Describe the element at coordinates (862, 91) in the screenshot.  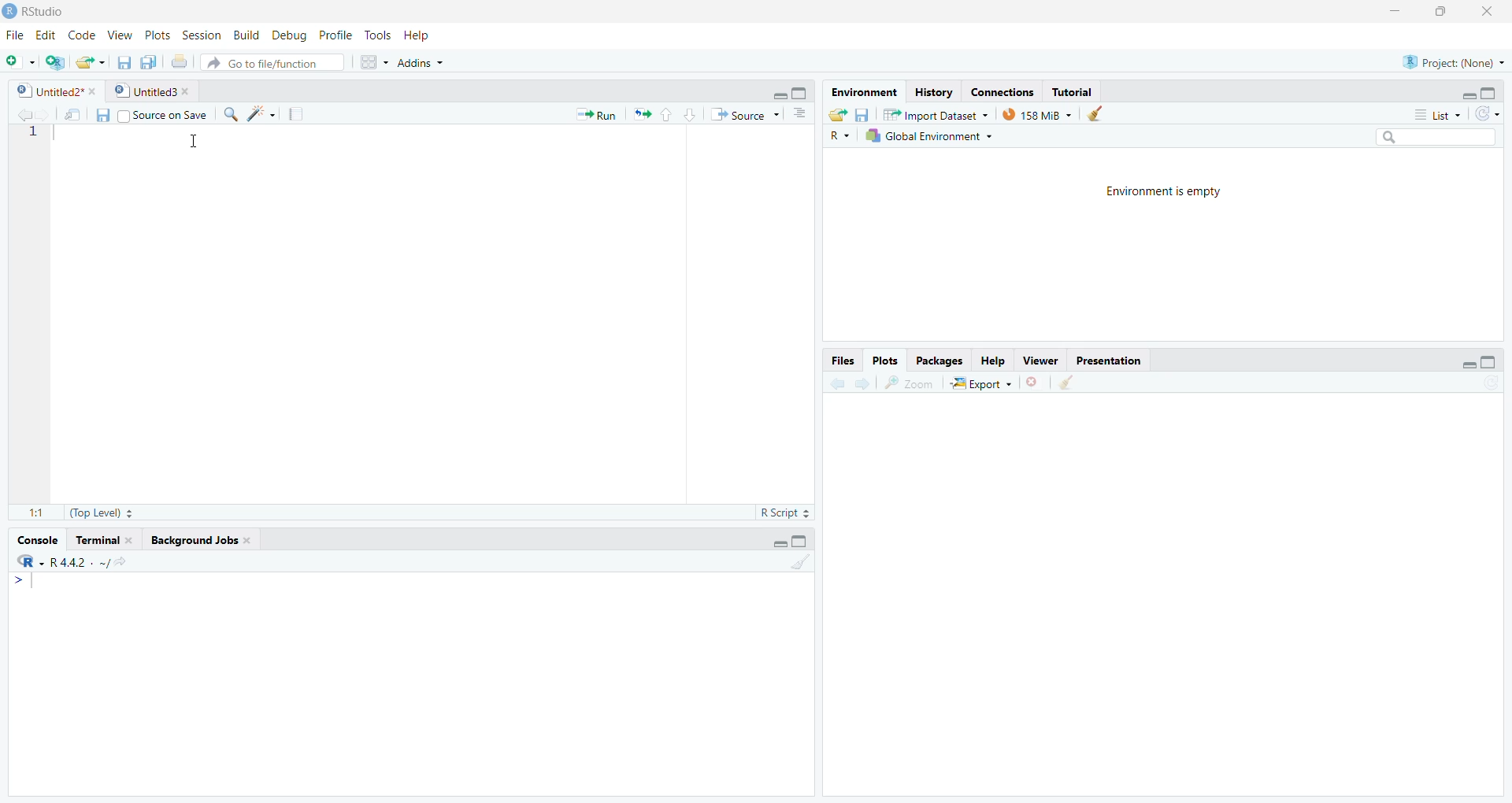
I see `Environment` at that location.